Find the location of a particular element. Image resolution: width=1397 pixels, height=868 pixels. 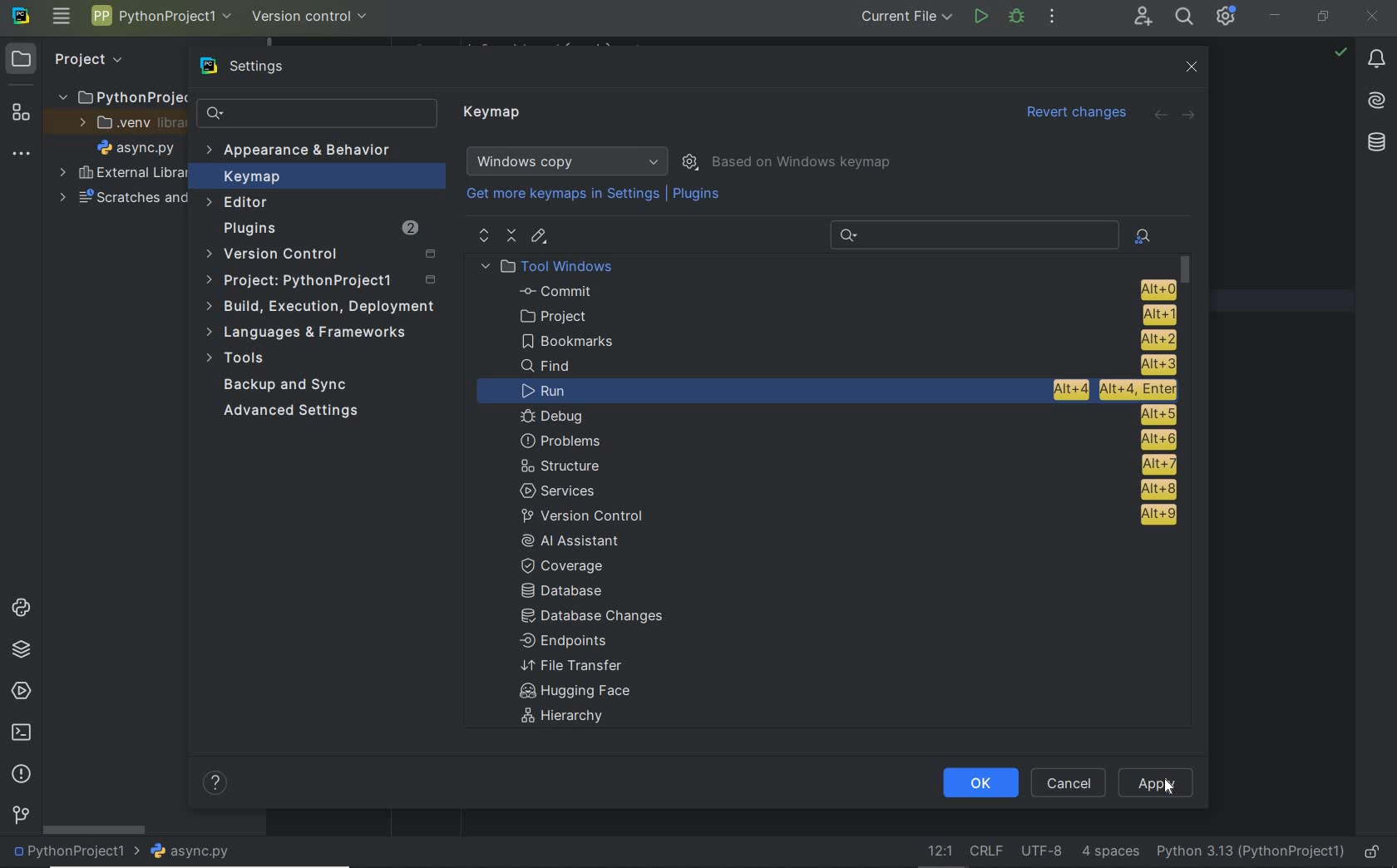

Editor is located at coordinates (239, 203).